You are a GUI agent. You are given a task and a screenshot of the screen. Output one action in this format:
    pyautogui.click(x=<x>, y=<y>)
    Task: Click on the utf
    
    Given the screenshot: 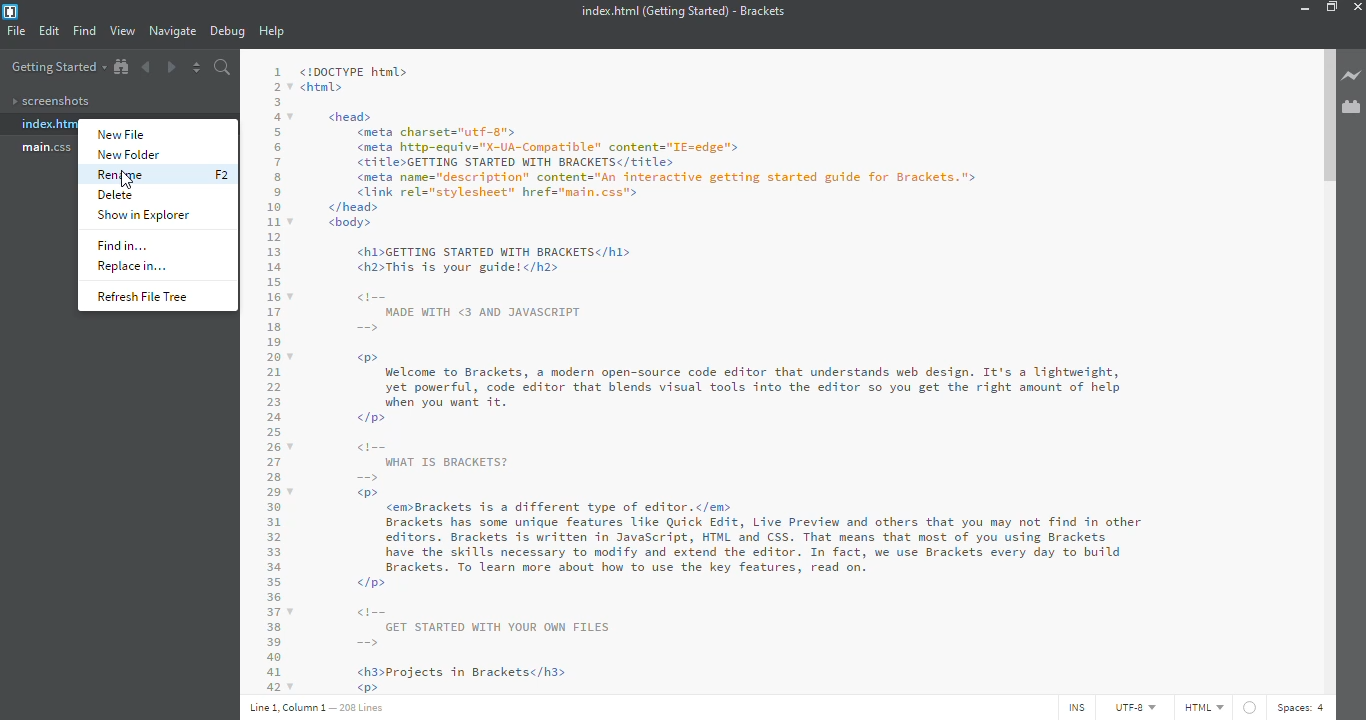 What is the action you would take?
    pyautogui.click(x=1128, y=708)
    